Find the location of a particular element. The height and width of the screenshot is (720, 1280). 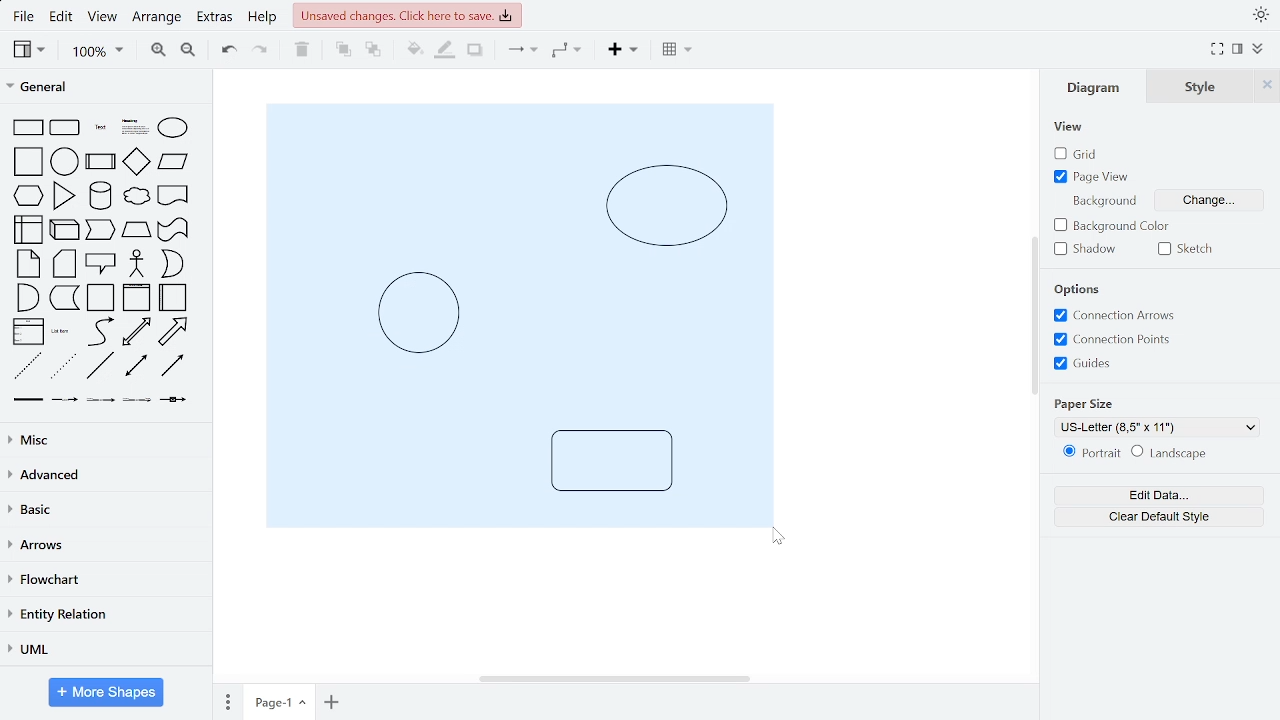

bidirectional connector is located at coordinates (138, 368).